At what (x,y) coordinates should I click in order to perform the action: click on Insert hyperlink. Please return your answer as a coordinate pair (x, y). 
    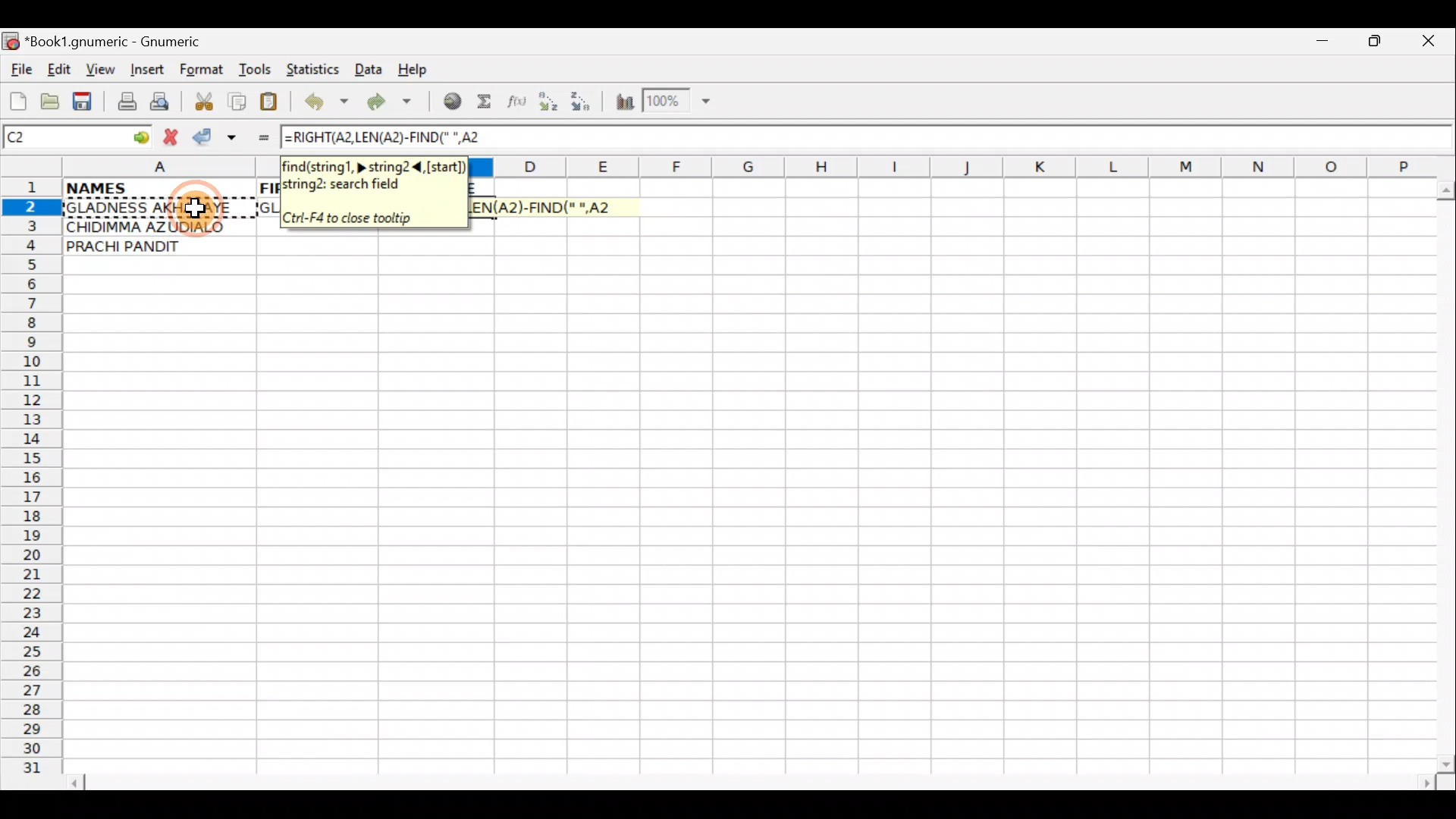
    Looking at the image, I should click on (450, 102).